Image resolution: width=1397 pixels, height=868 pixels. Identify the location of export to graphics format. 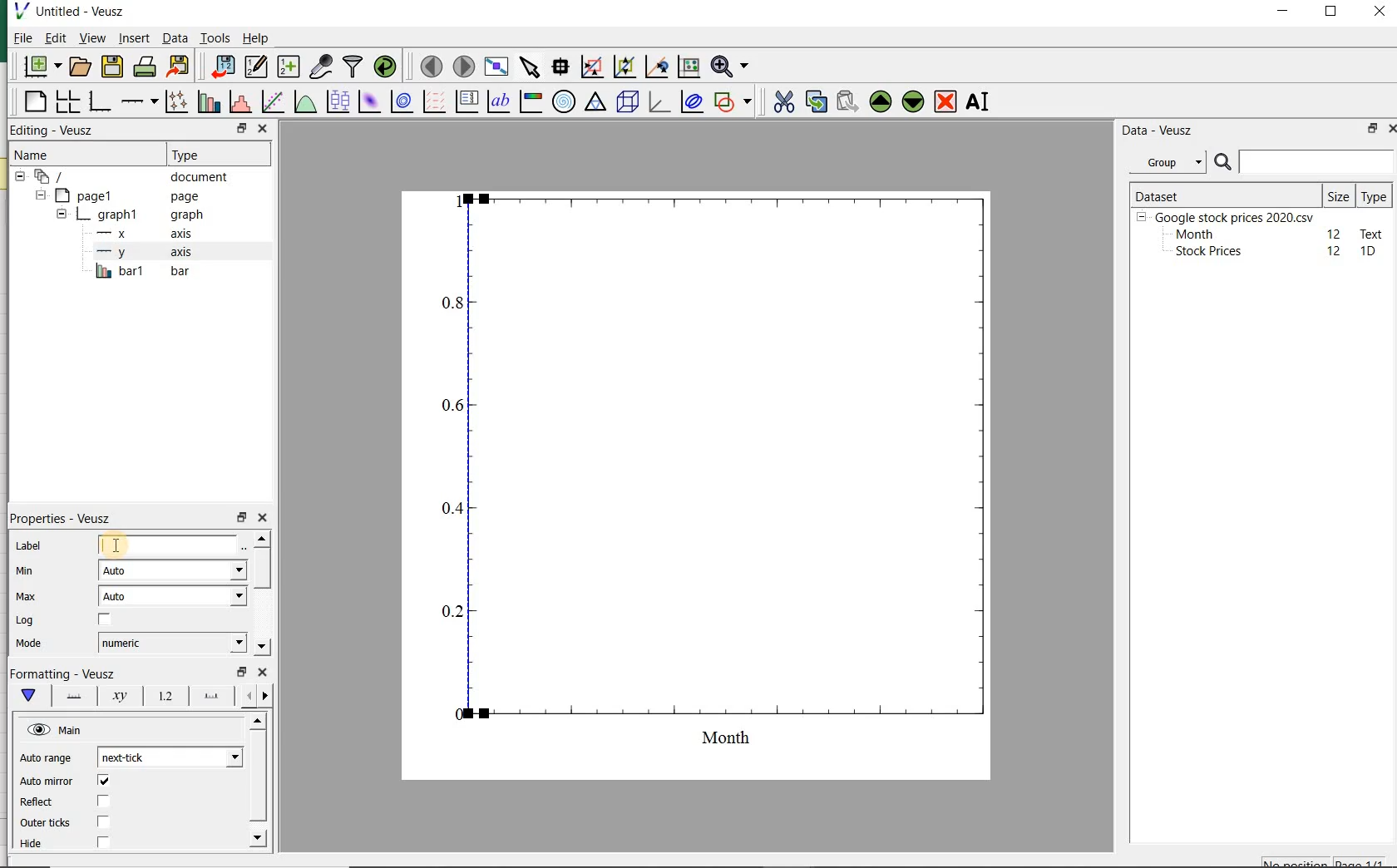
(179, 67).